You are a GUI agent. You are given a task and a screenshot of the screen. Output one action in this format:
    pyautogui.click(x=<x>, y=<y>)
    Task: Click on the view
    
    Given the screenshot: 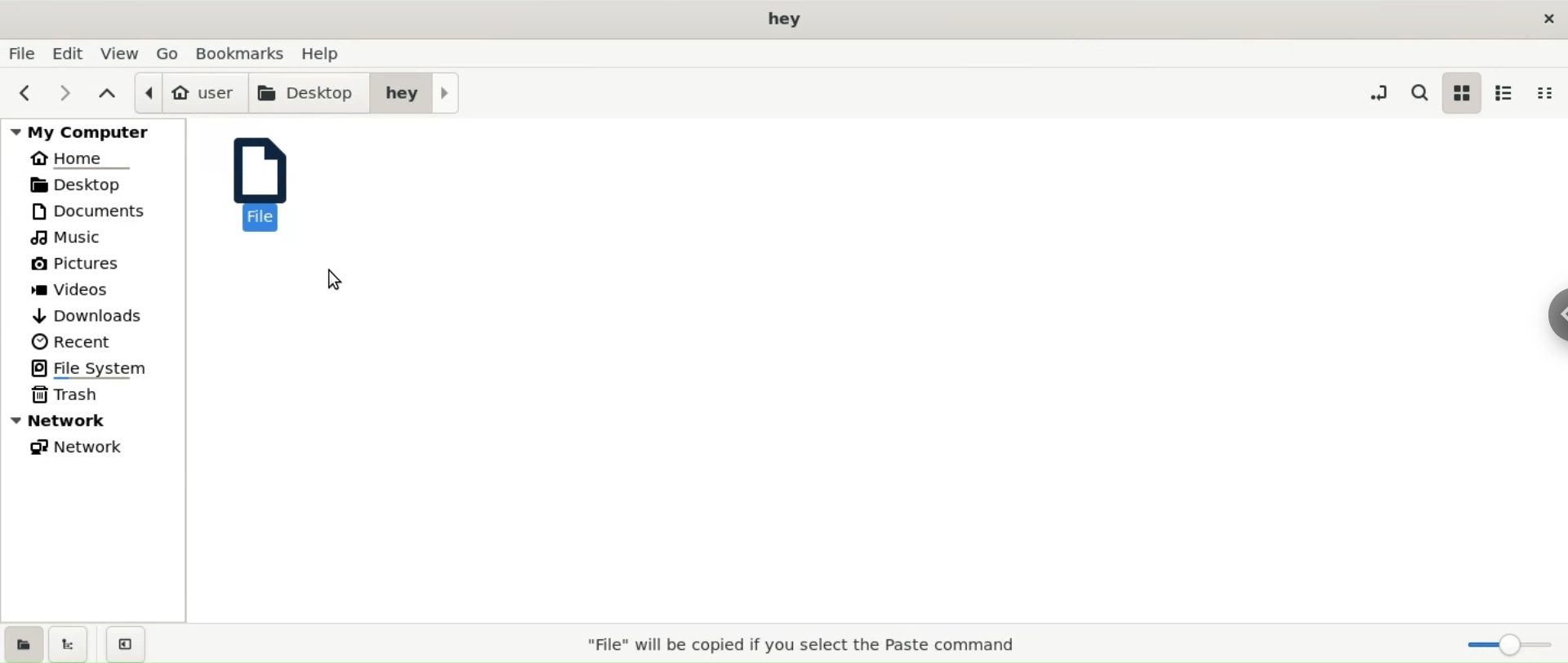 What is the action you would take?
    pyautogui.click(x=121, y=54)
    